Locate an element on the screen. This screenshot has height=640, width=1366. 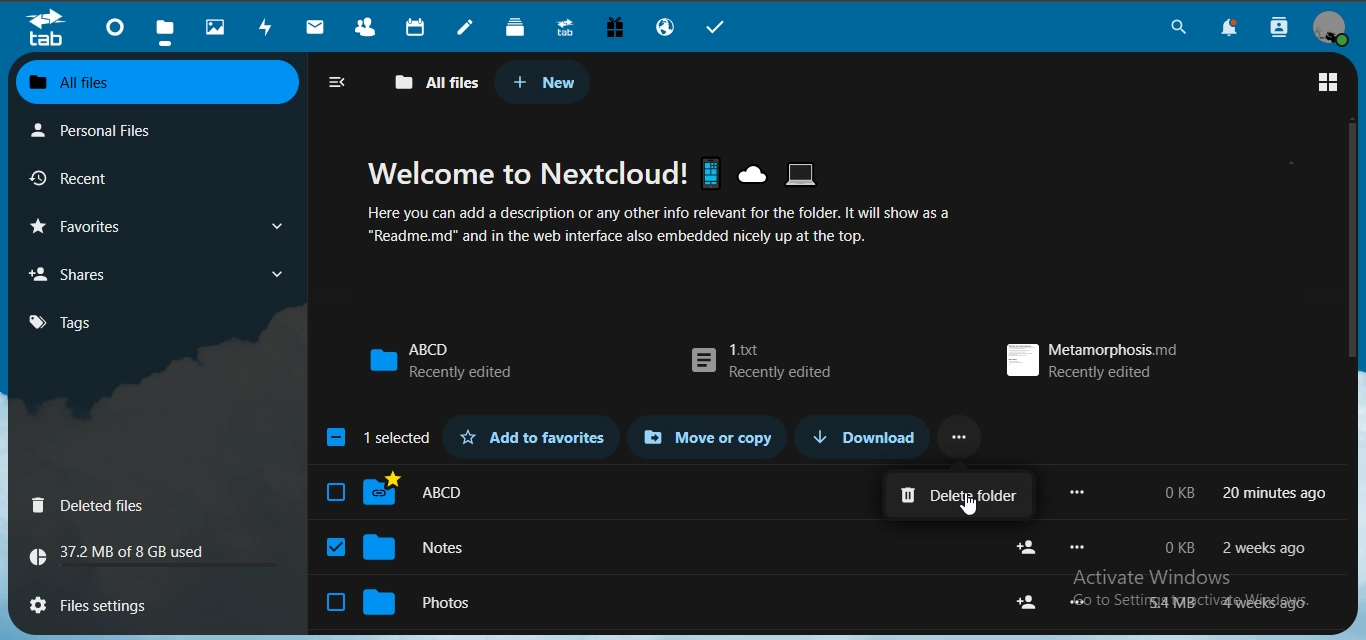
calendar is located at coordinates (417, 26).